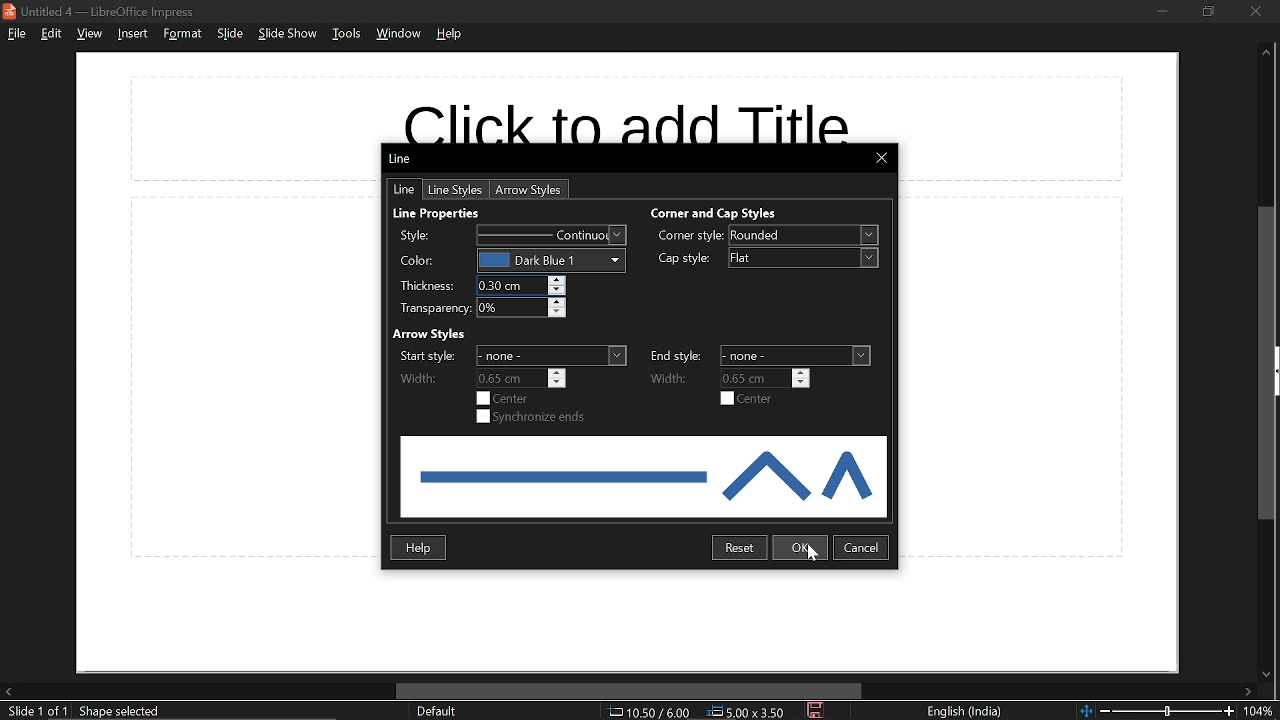 The width and height of the screenshot is (1280, 720). I want to click on help, so click(450, 33).